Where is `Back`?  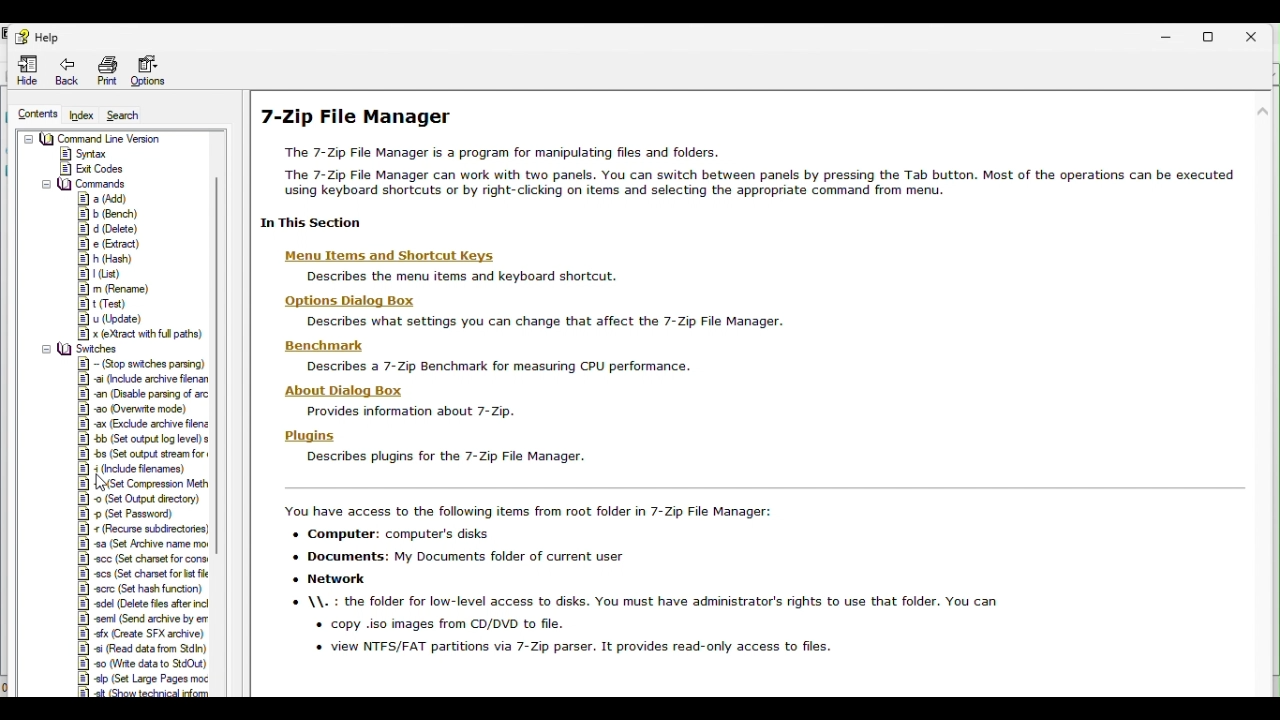
Back is located at coordinates (68, 67).